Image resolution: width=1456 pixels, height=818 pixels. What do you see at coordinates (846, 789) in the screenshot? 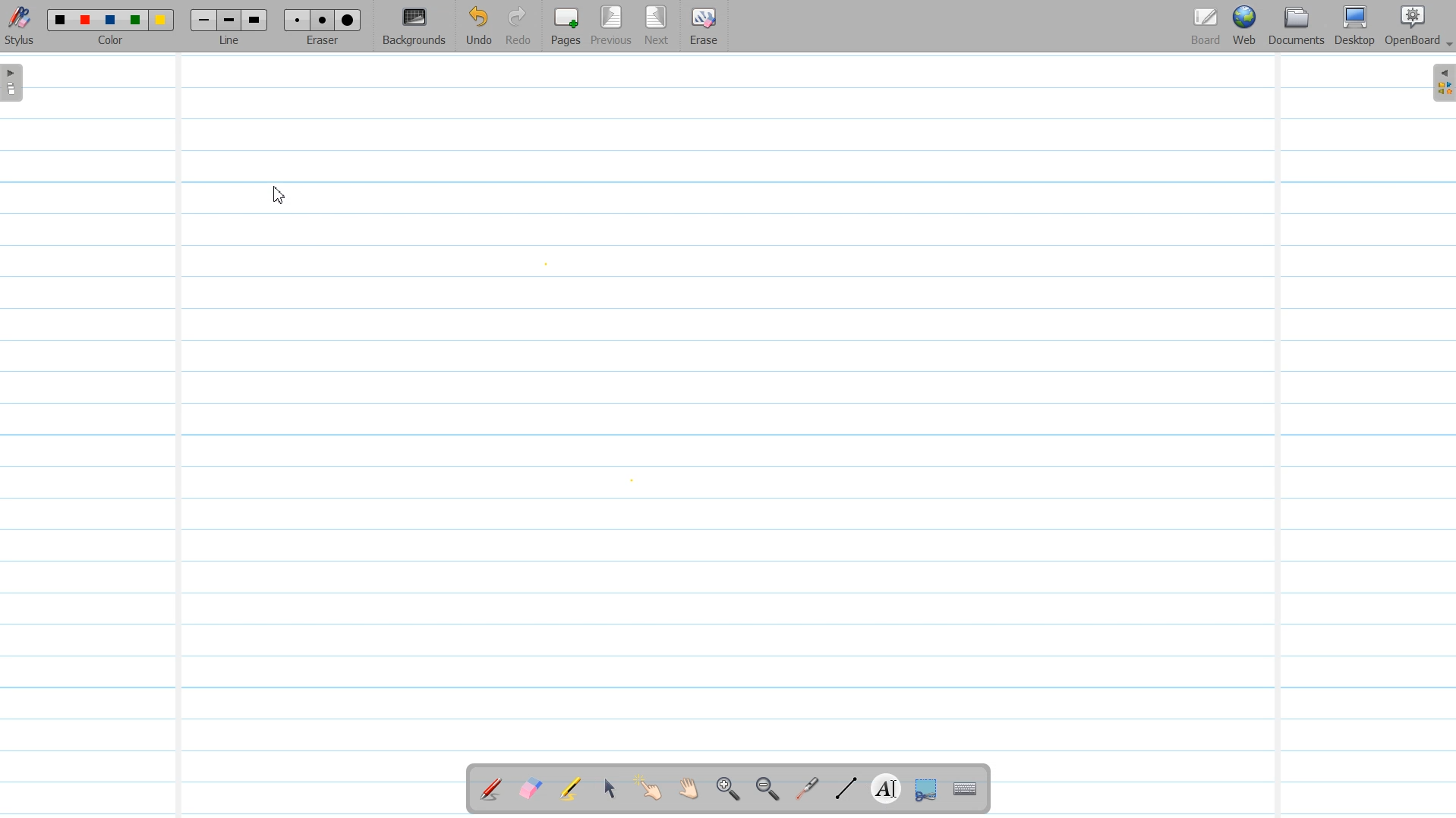
I see `Draw Lines` at bounding box center [846, 789].